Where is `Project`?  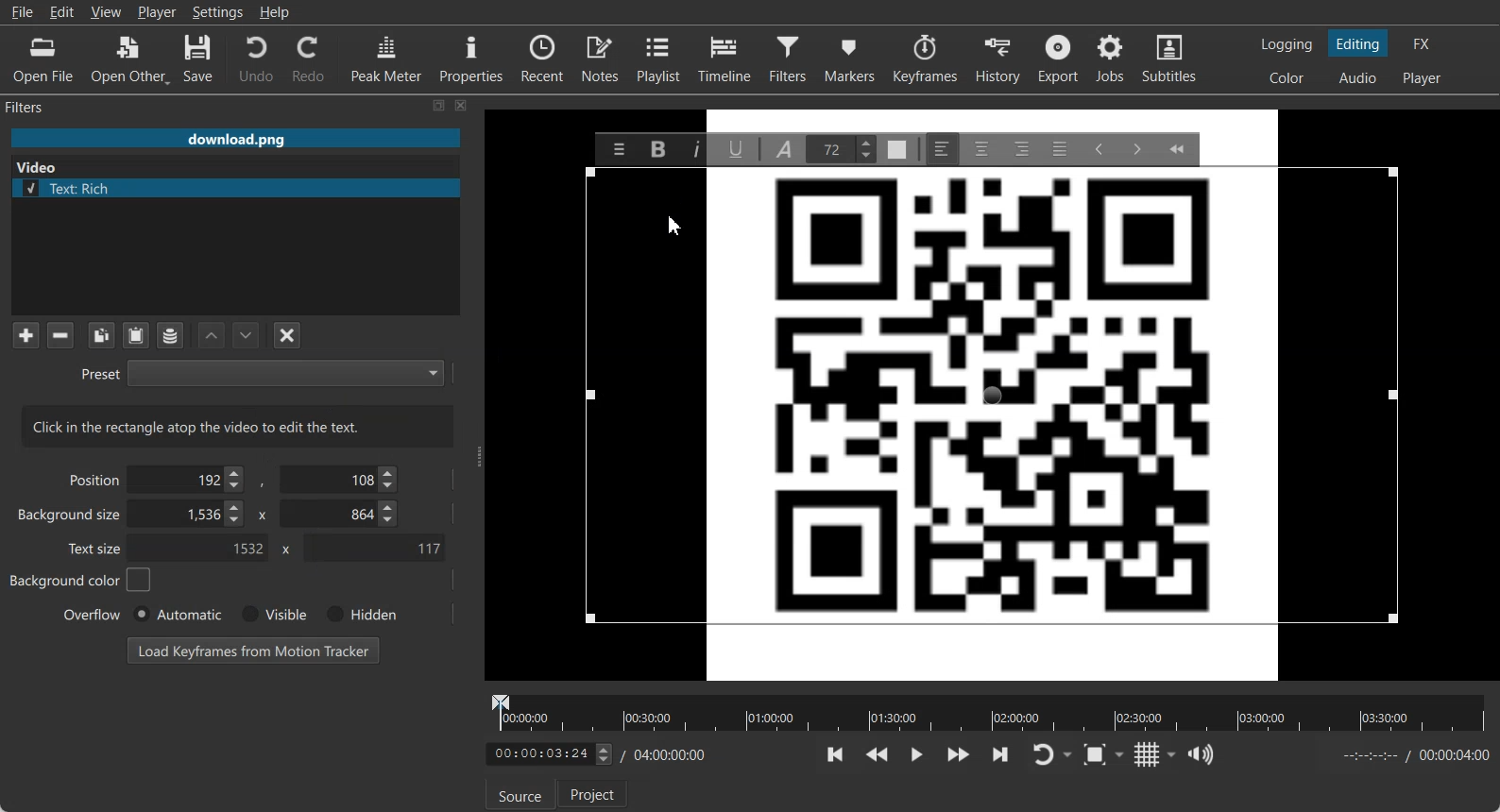 Project is located at coordinates (594, 793).